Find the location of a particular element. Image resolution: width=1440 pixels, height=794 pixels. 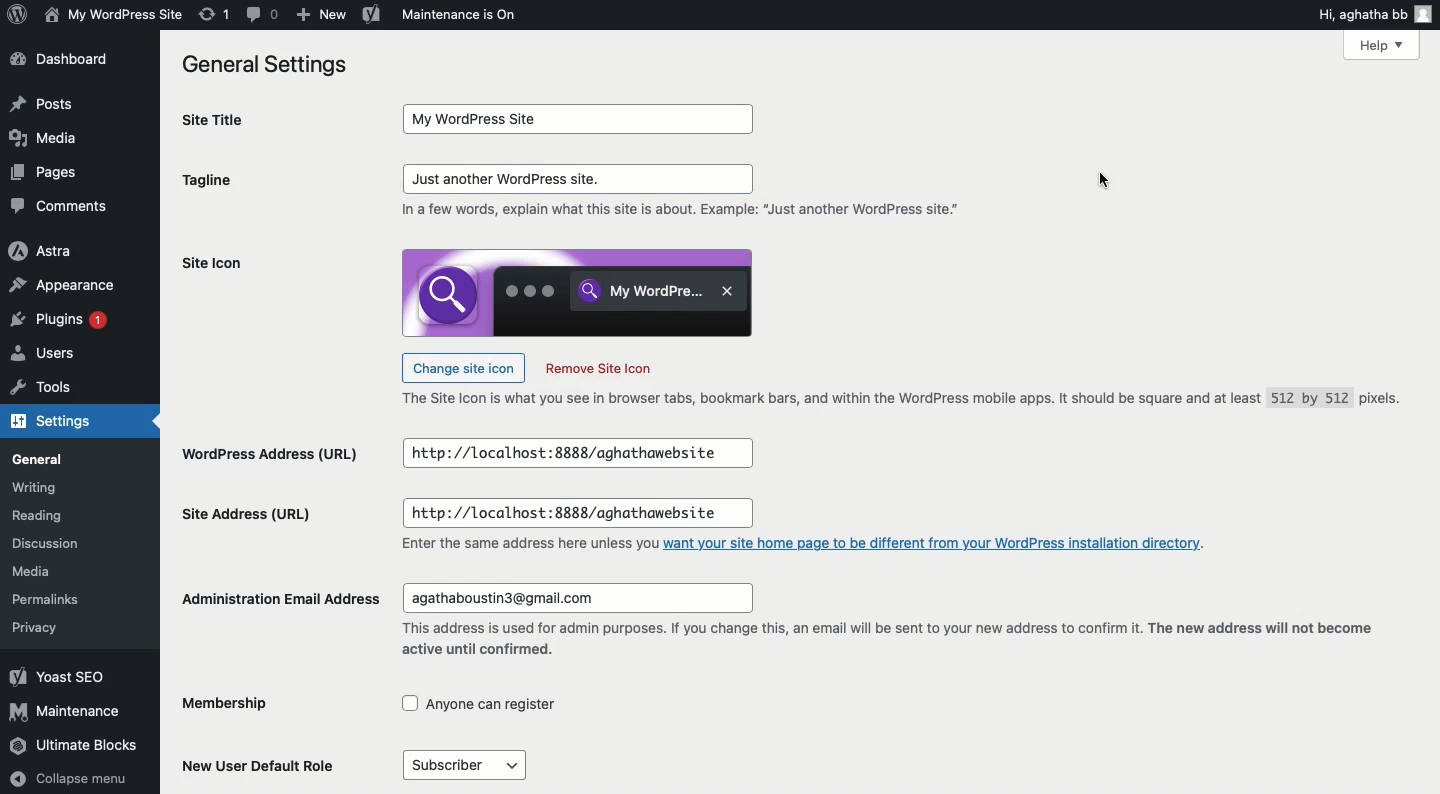

link is located at coordinates (936, 542).